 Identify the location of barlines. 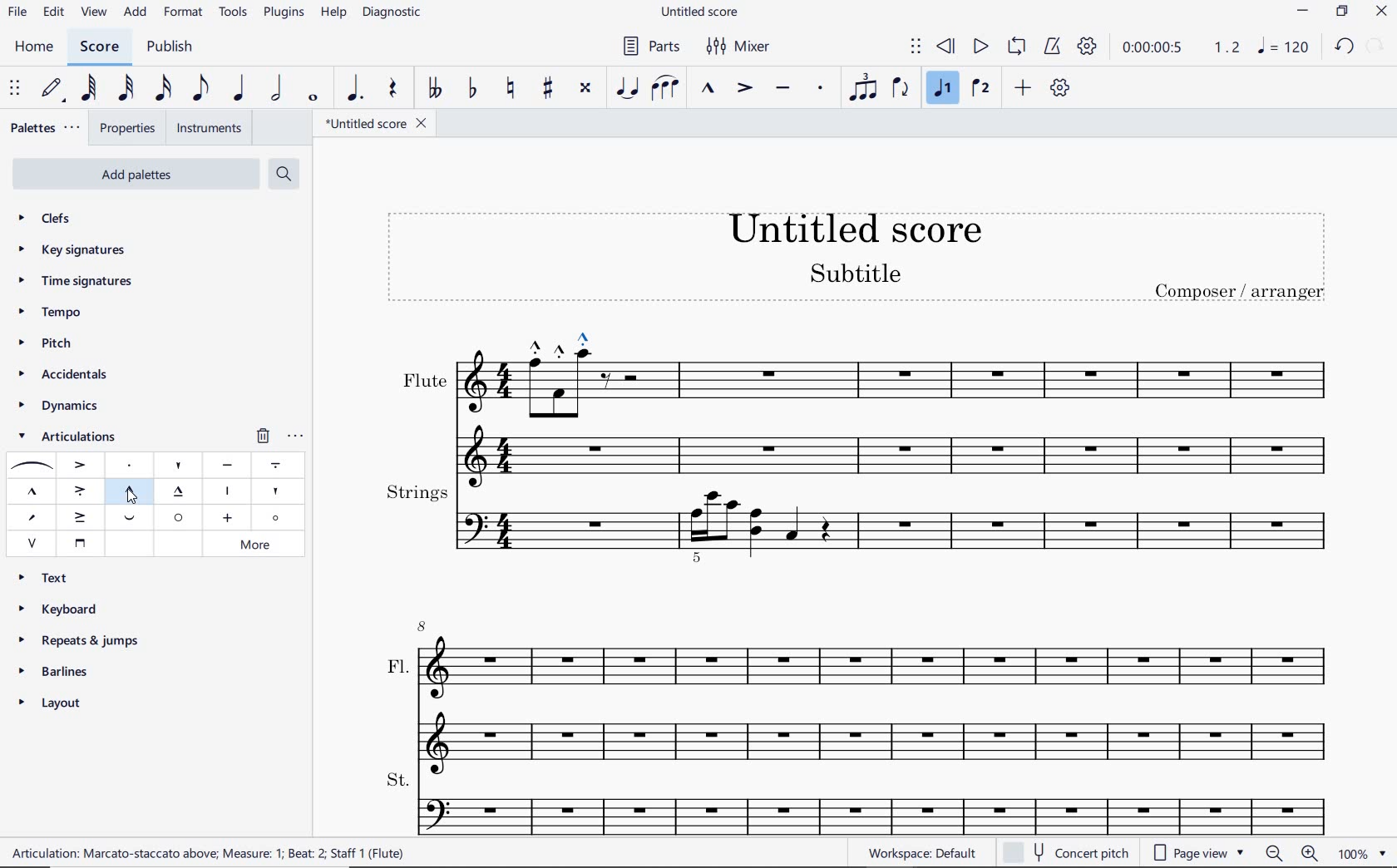
(60, 672).